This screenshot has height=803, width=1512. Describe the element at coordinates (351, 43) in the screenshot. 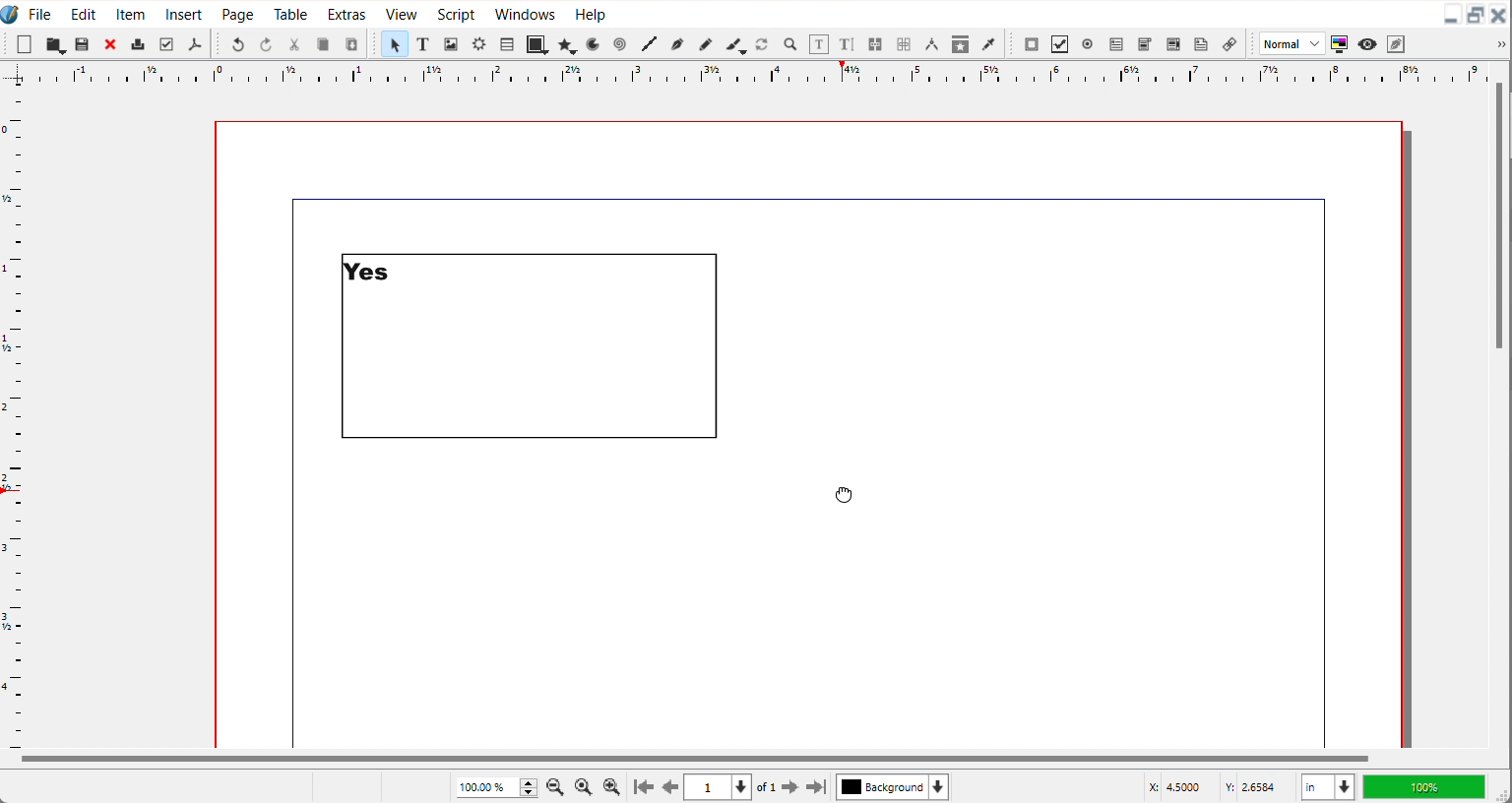

I see `Paste` at that location.